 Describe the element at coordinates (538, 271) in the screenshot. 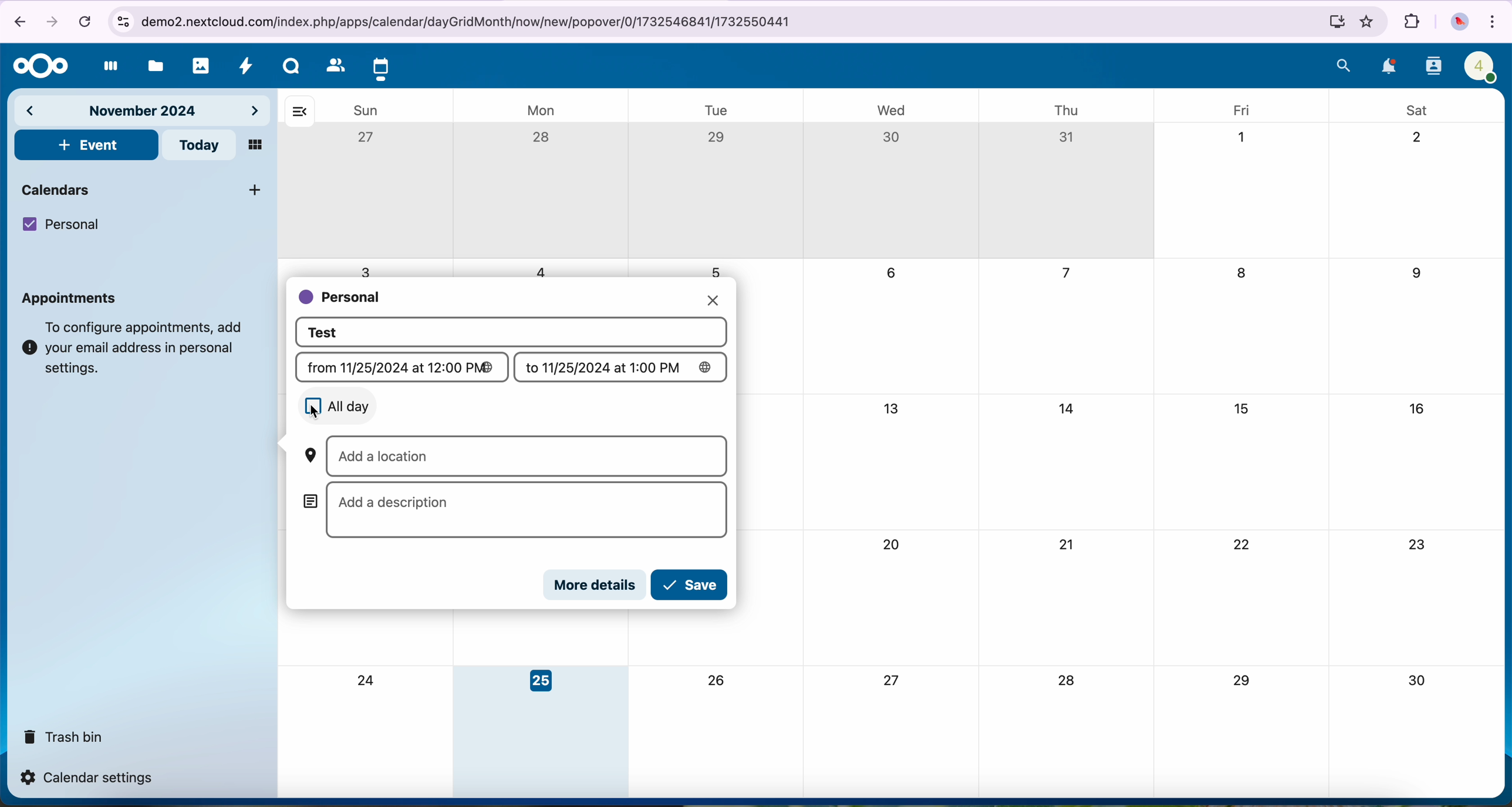

I see `4` at that location.